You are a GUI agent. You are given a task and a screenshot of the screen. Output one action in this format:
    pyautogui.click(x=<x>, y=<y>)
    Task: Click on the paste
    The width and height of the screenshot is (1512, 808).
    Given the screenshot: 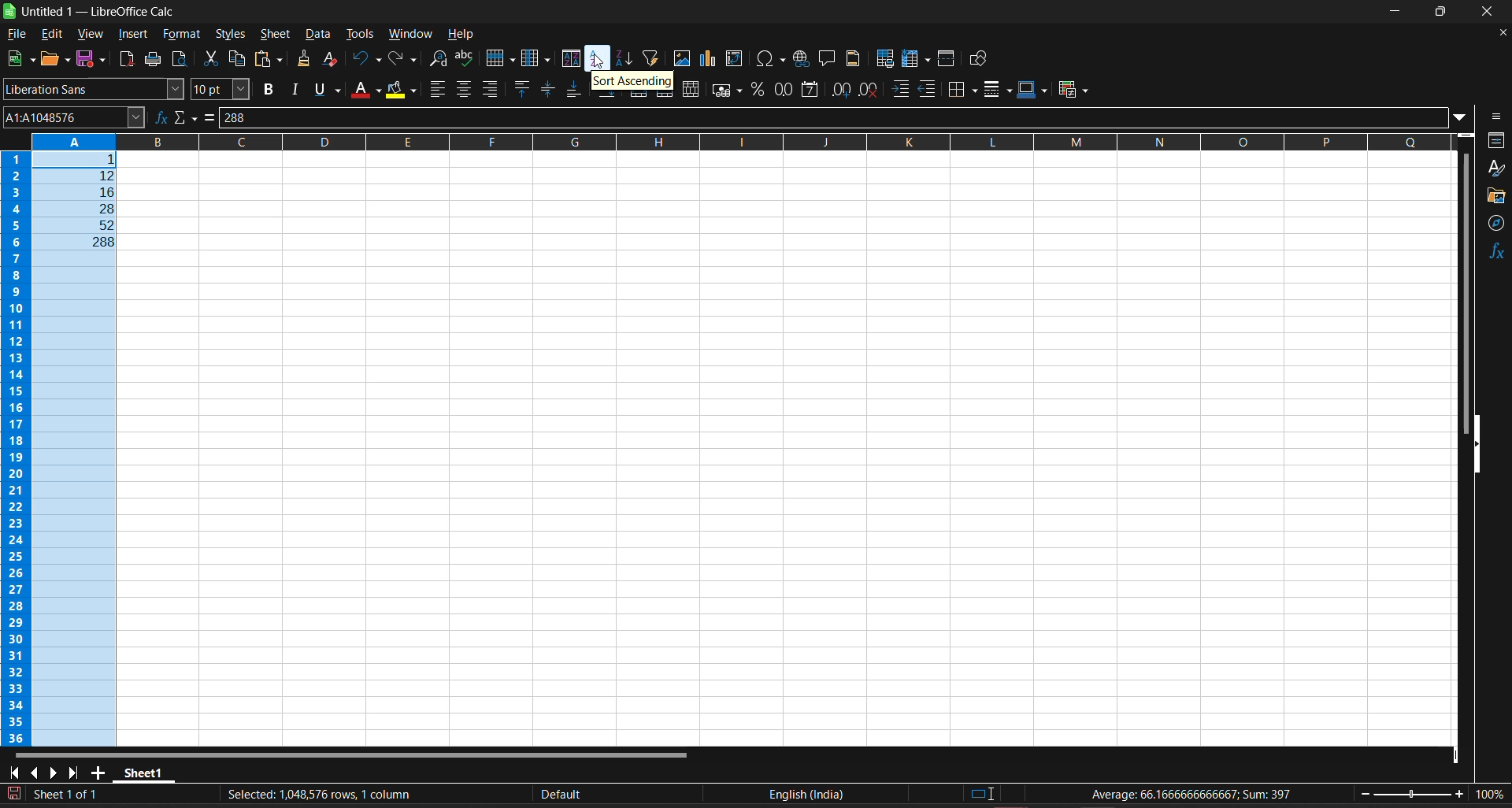 What is the action you would take?
    pyautogui.click(x=267, y=60)
    